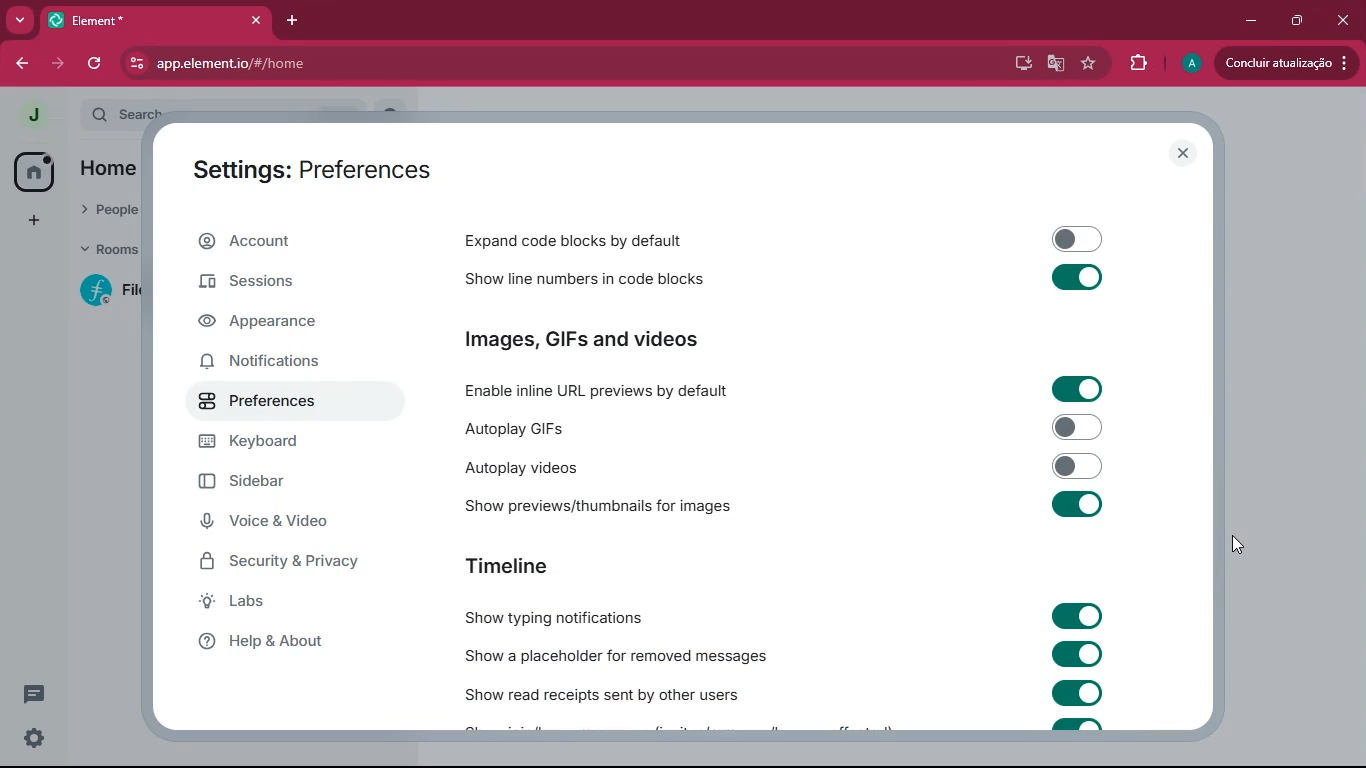 Image resolution: width=1366 pixels, height=768 pixels. I want to click on expand code blocks by default, so click(612, 240).